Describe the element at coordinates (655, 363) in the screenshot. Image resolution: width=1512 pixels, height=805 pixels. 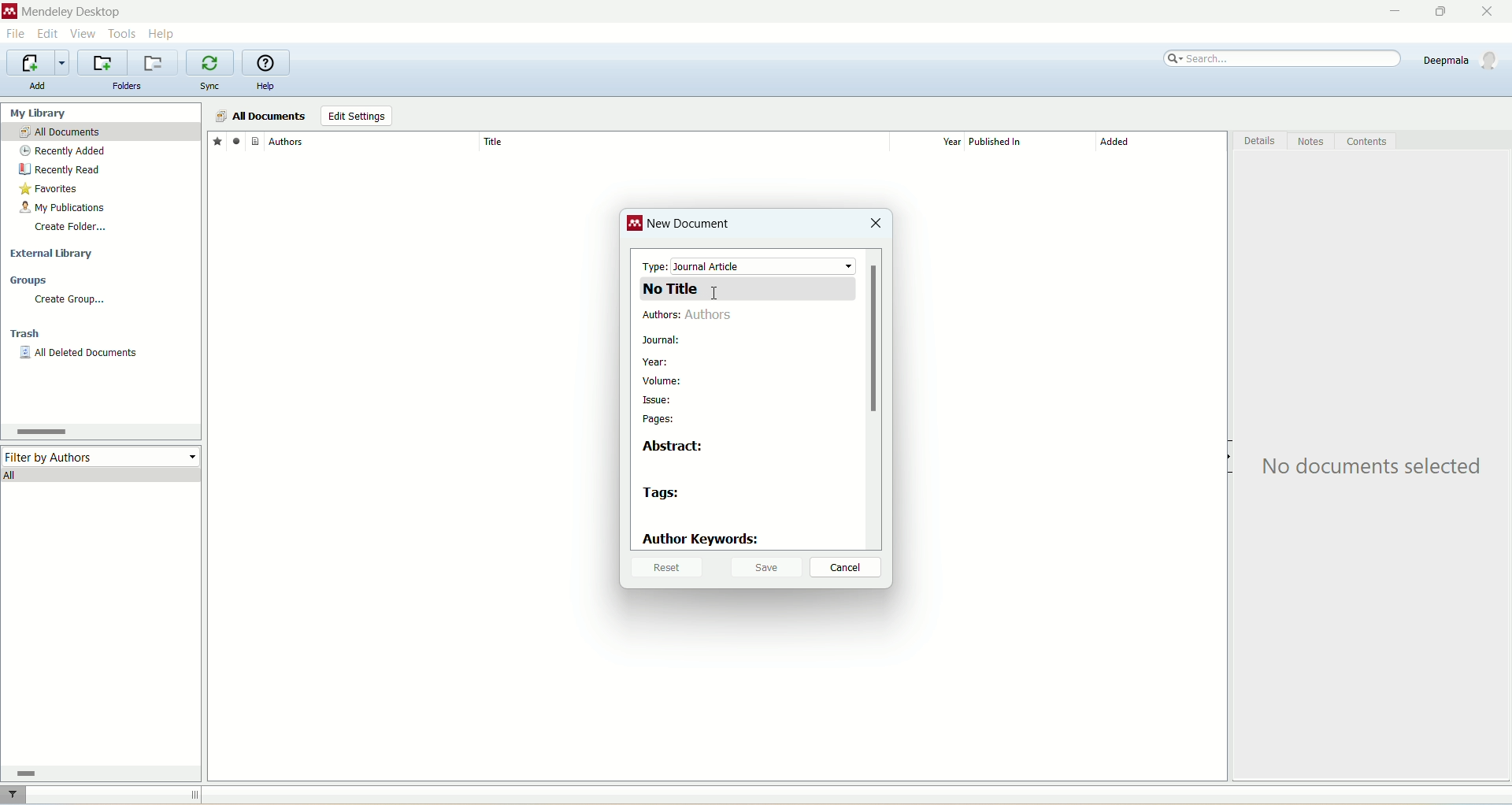
I see `year` at that location.